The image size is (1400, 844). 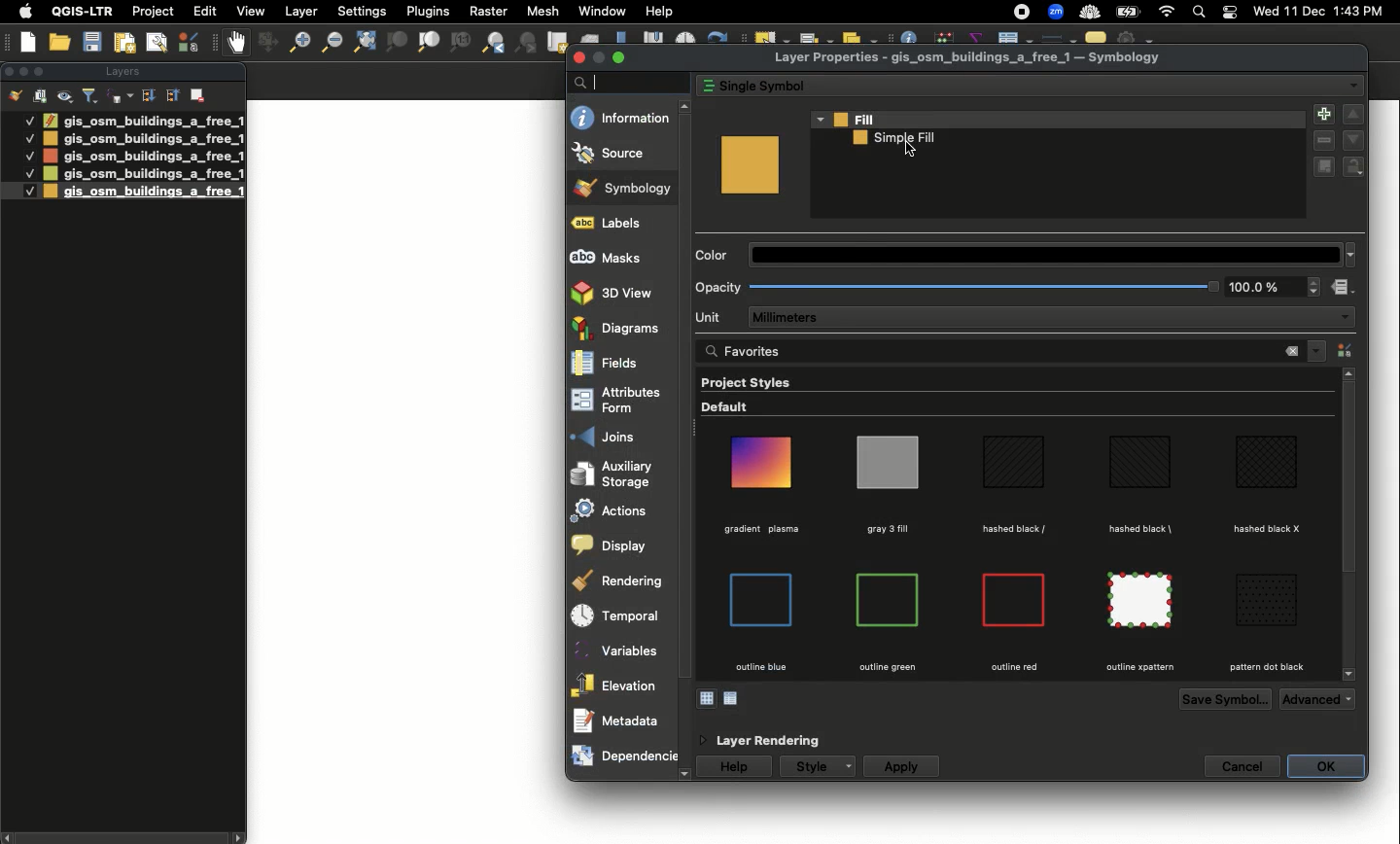 What do you see at coordinates (171, 94) in the screenshot?
I see `Sort ascending` at bounding box center [171, 94].